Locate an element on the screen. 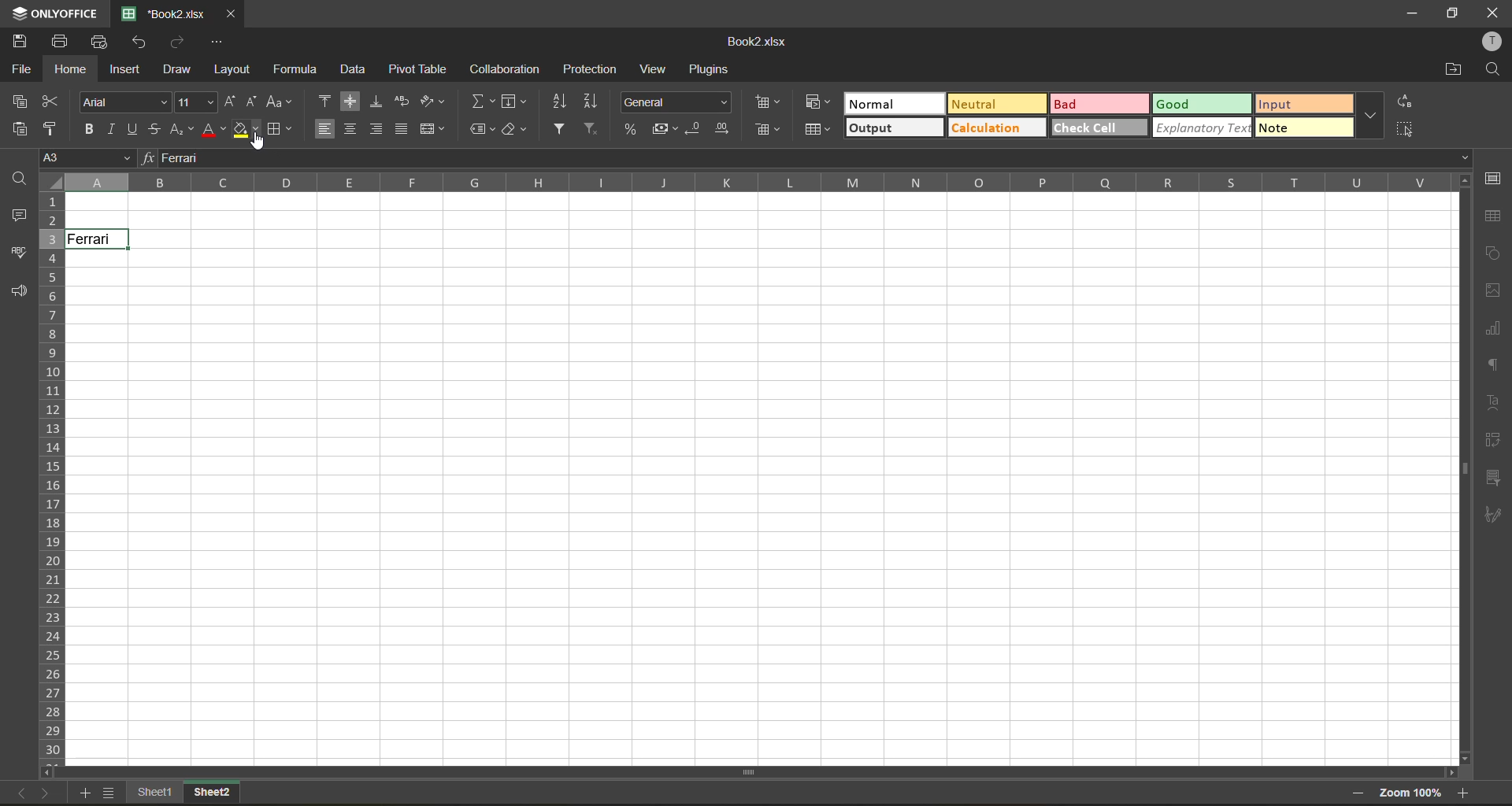 Image resolution: width=1512 pixels, height=806 pixels. format as table is located at coordinates (772, 131).